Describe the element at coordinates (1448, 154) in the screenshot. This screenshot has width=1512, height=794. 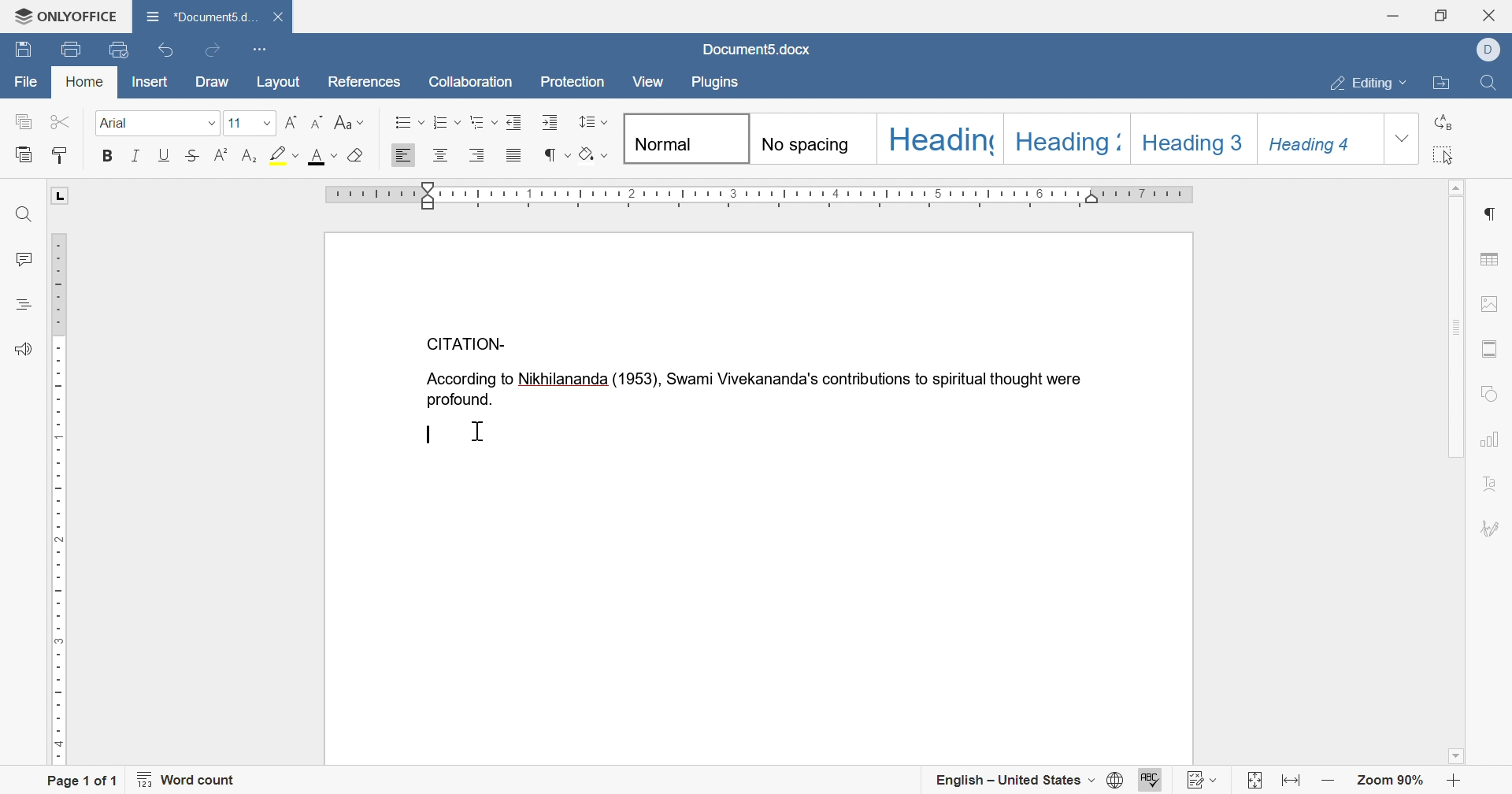
I see `select all` at that location.